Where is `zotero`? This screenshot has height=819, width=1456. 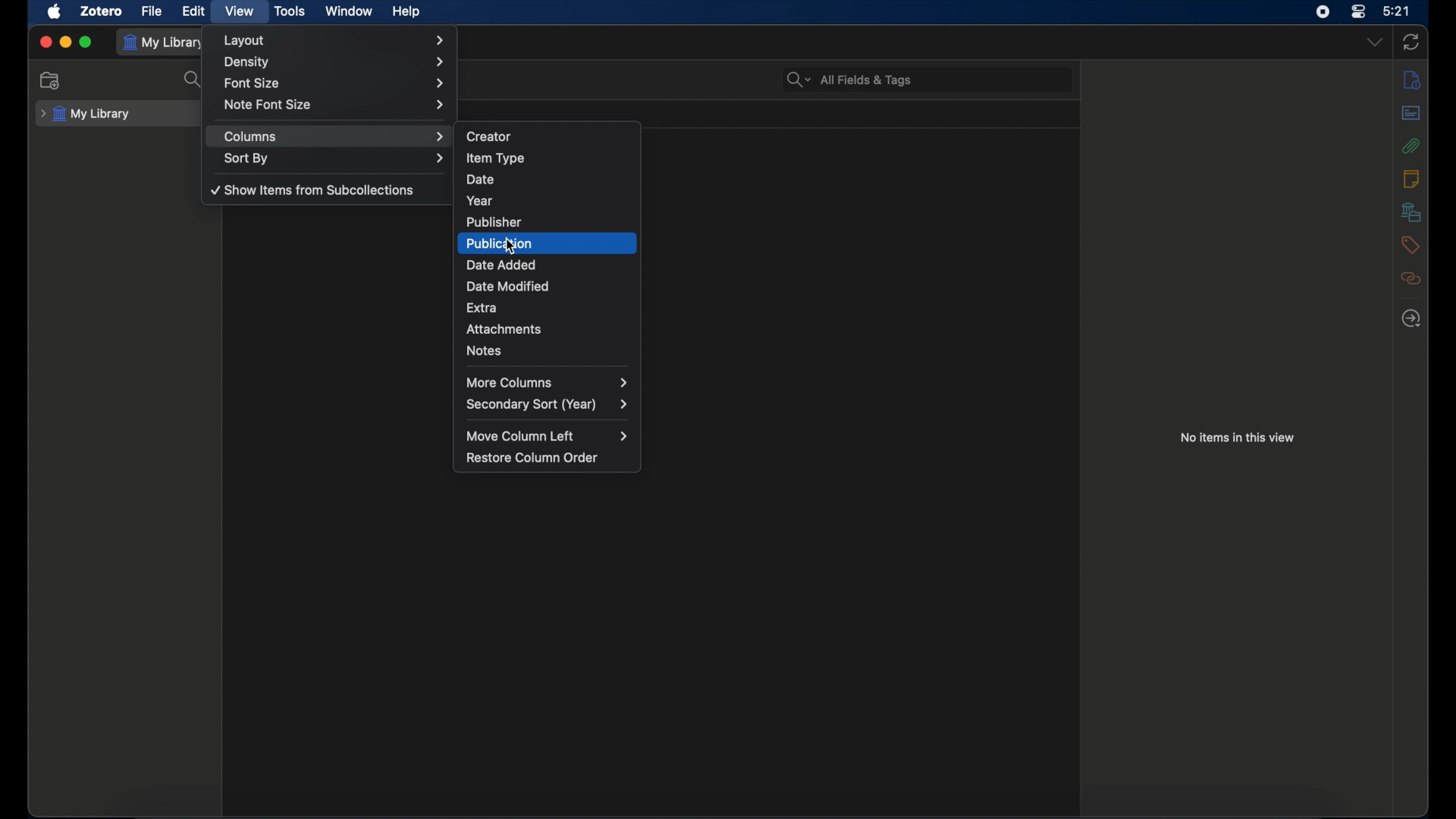
zotero is located at coordinates (102, 12).